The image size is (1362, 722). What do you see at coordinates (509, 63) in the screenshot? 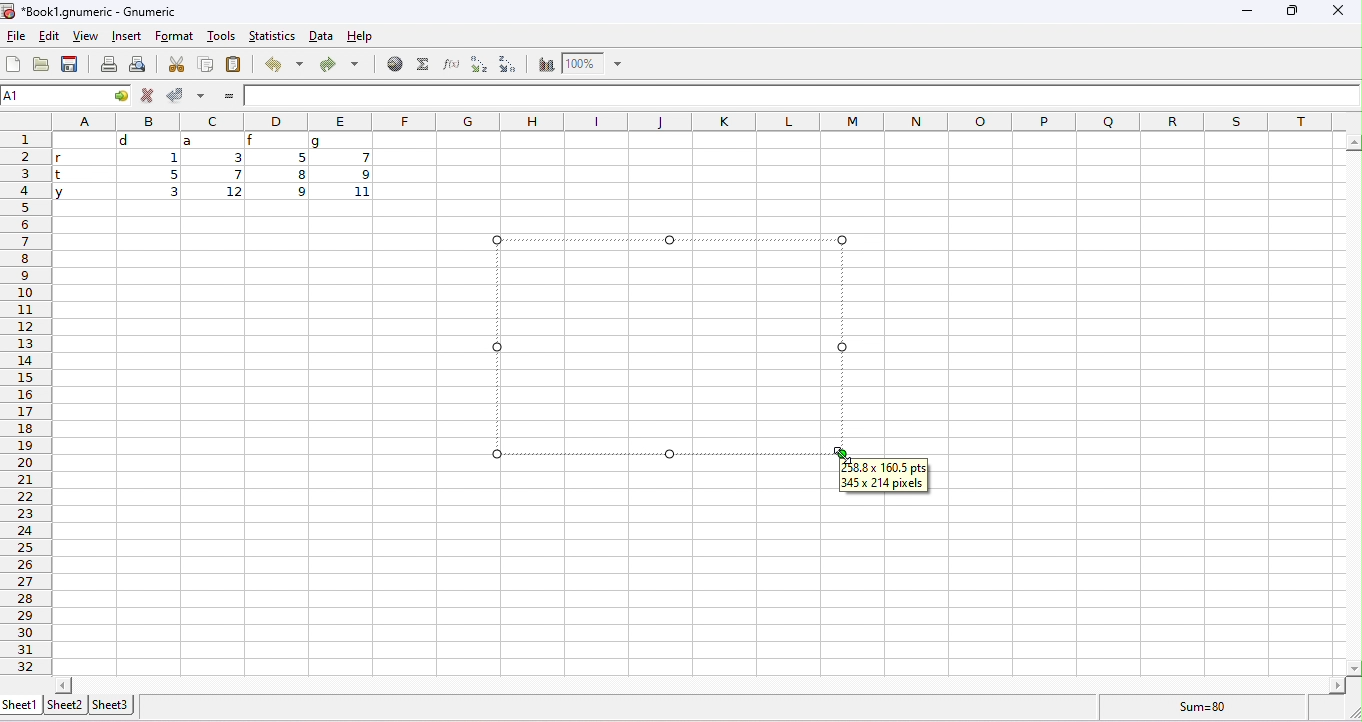
I see `sort descending` at bounding box center [509, 63].